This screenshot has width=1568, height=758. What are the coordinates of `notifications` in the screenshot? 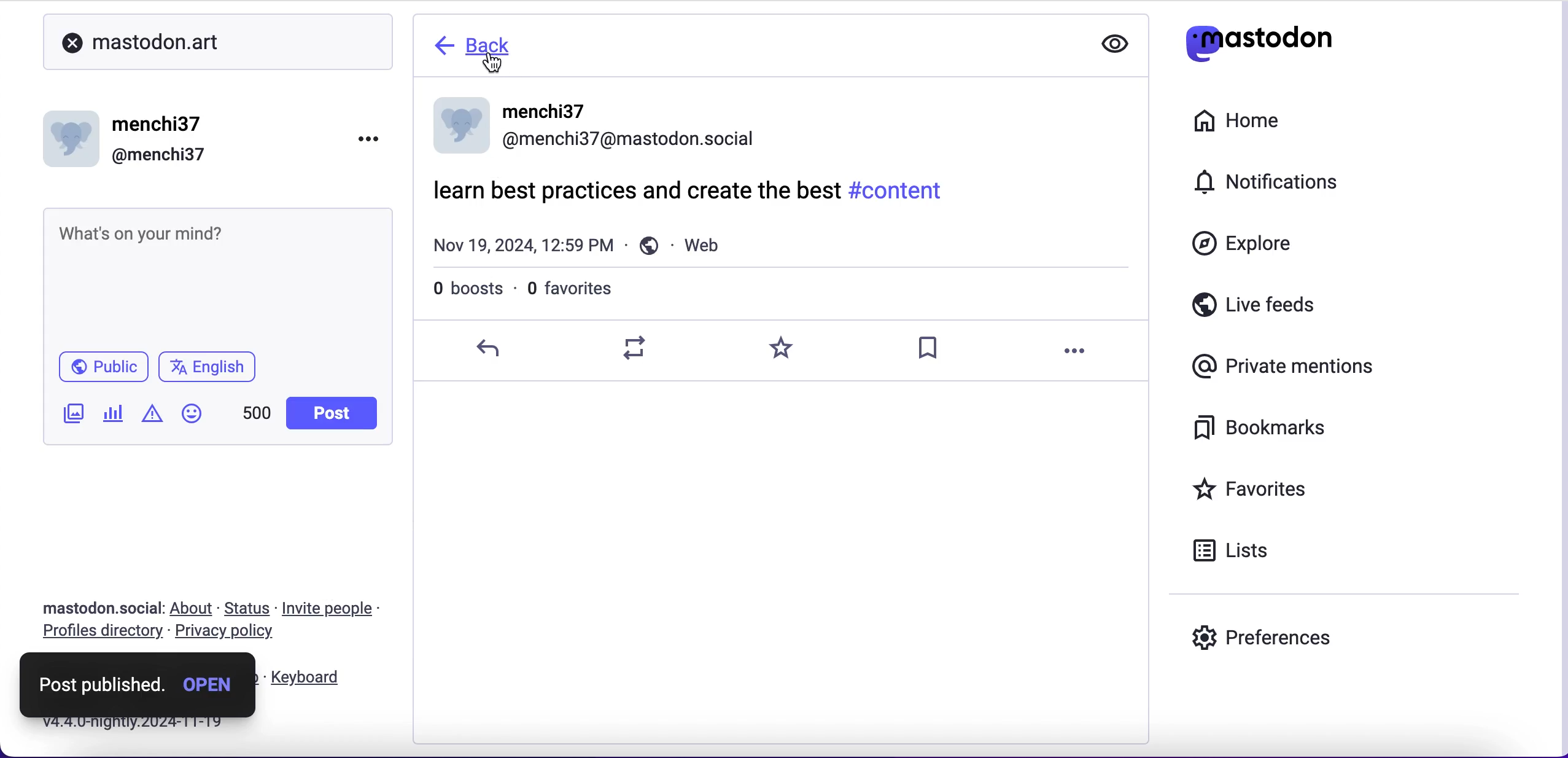 It's located at (1276, 181).